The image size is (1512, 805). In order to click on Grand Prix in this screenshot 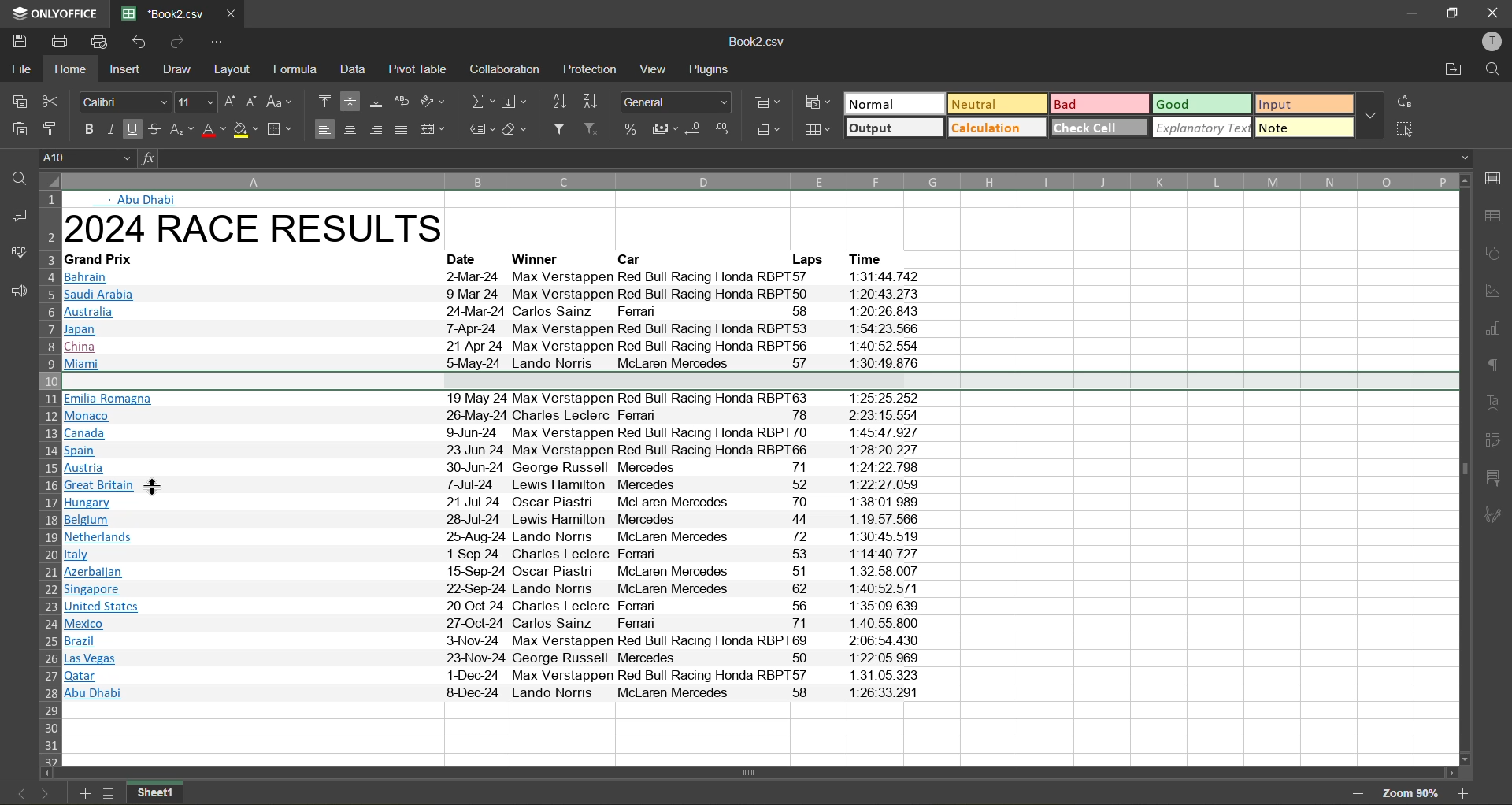, I will do `click(115, 258)`.